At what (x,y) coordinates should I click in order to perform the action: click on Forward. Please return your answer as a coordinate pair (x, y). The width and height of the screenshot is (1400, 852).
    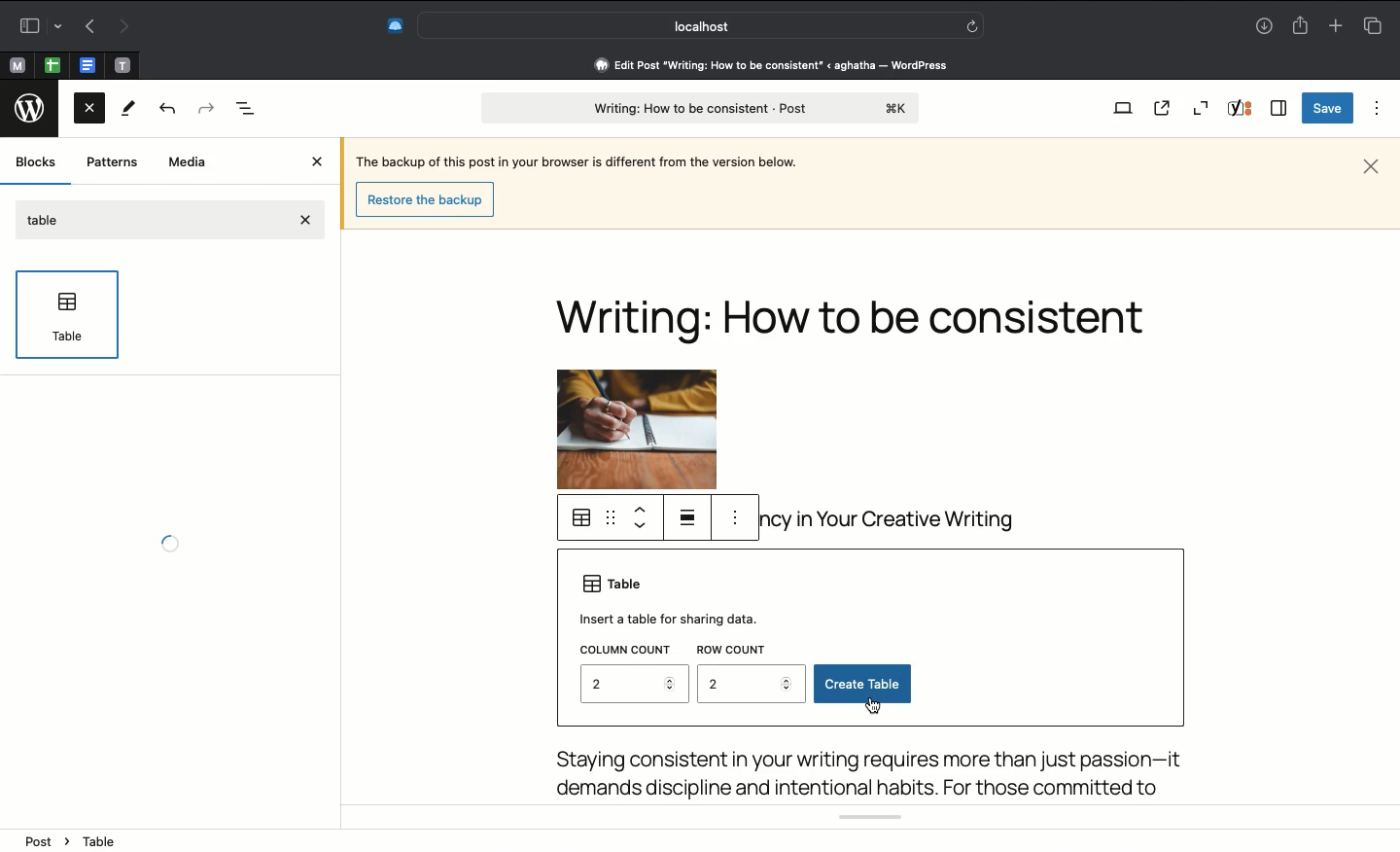
    Looking at the image, I should click on (205, 109).